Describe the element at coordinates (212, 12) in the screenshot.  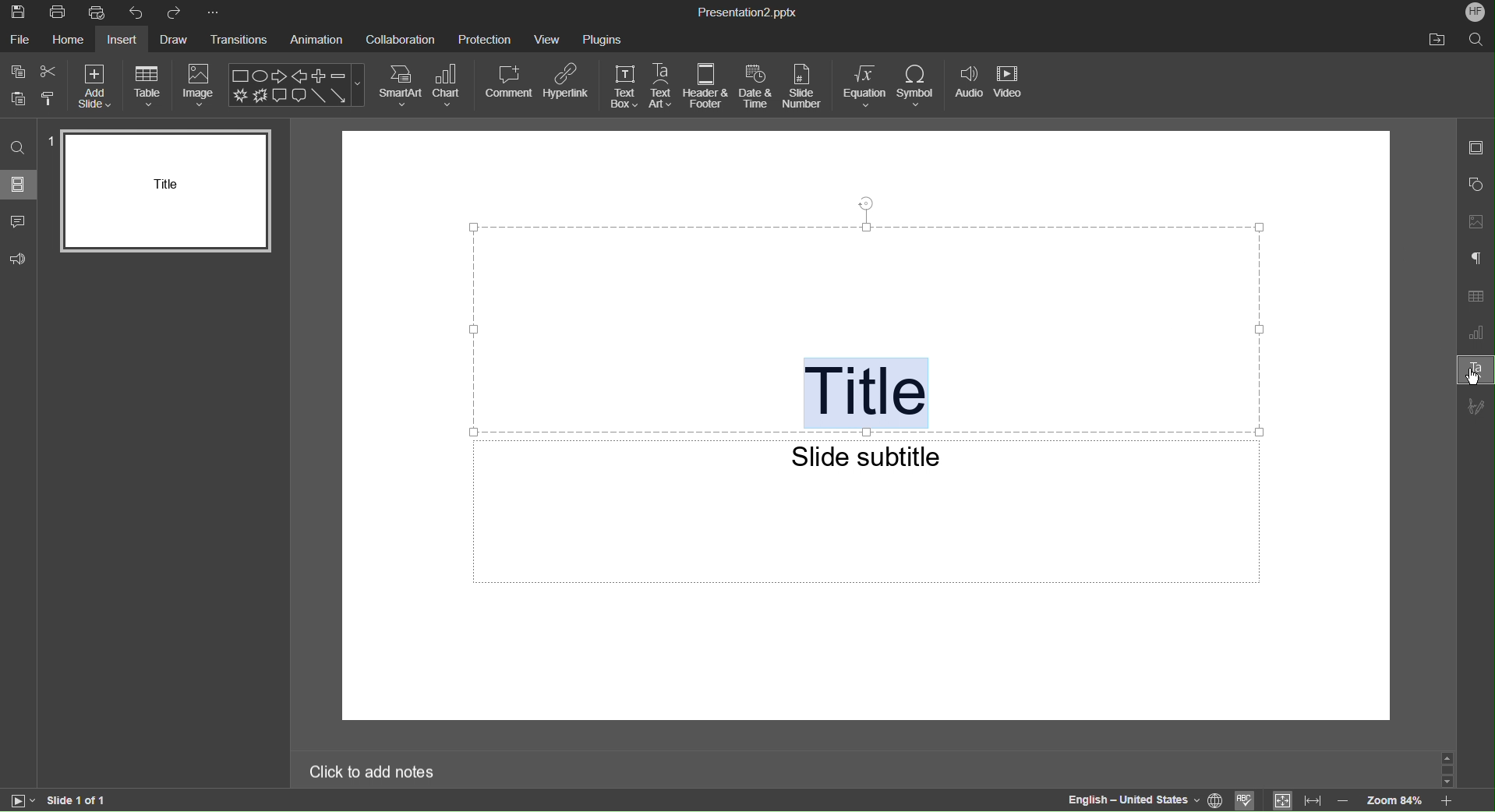
I see `More` at that location.